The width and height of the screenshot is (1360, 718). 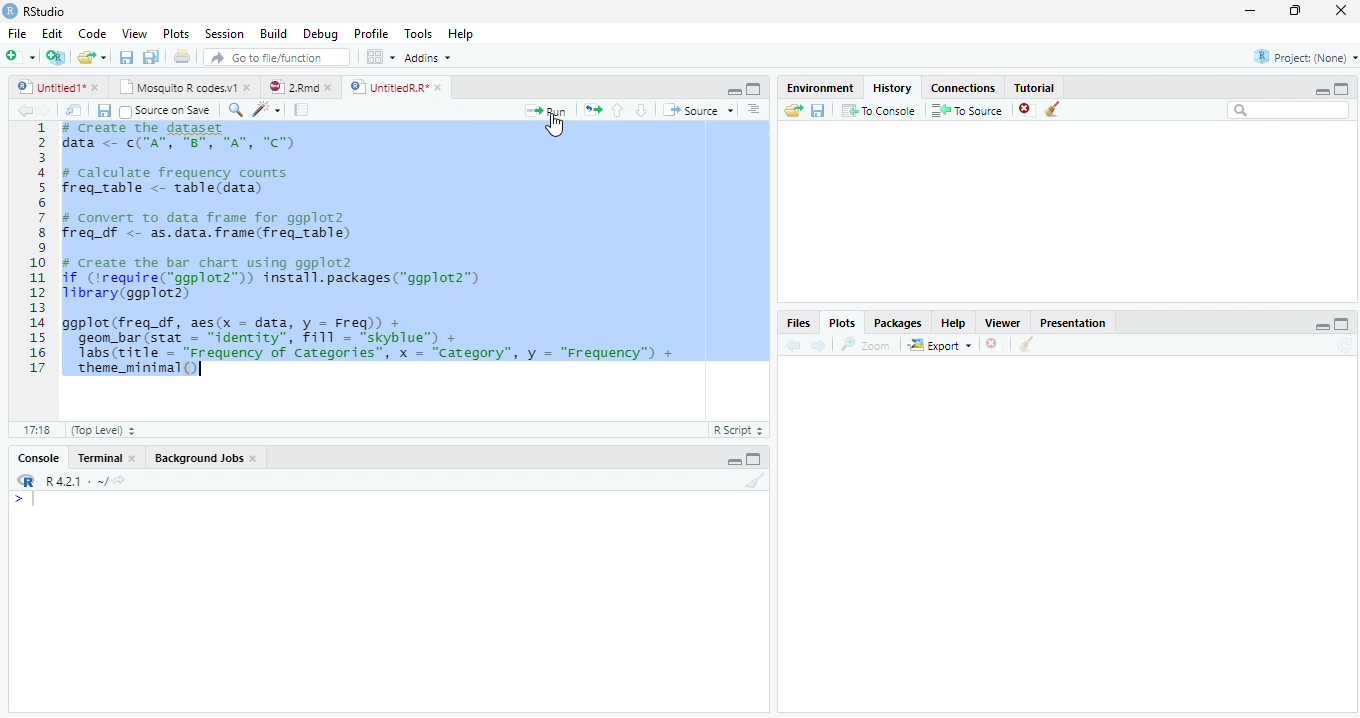 What do you see at coordinates (756, 461) in the screenshot?
I see `Maximize` at bounding box center [756, 461].